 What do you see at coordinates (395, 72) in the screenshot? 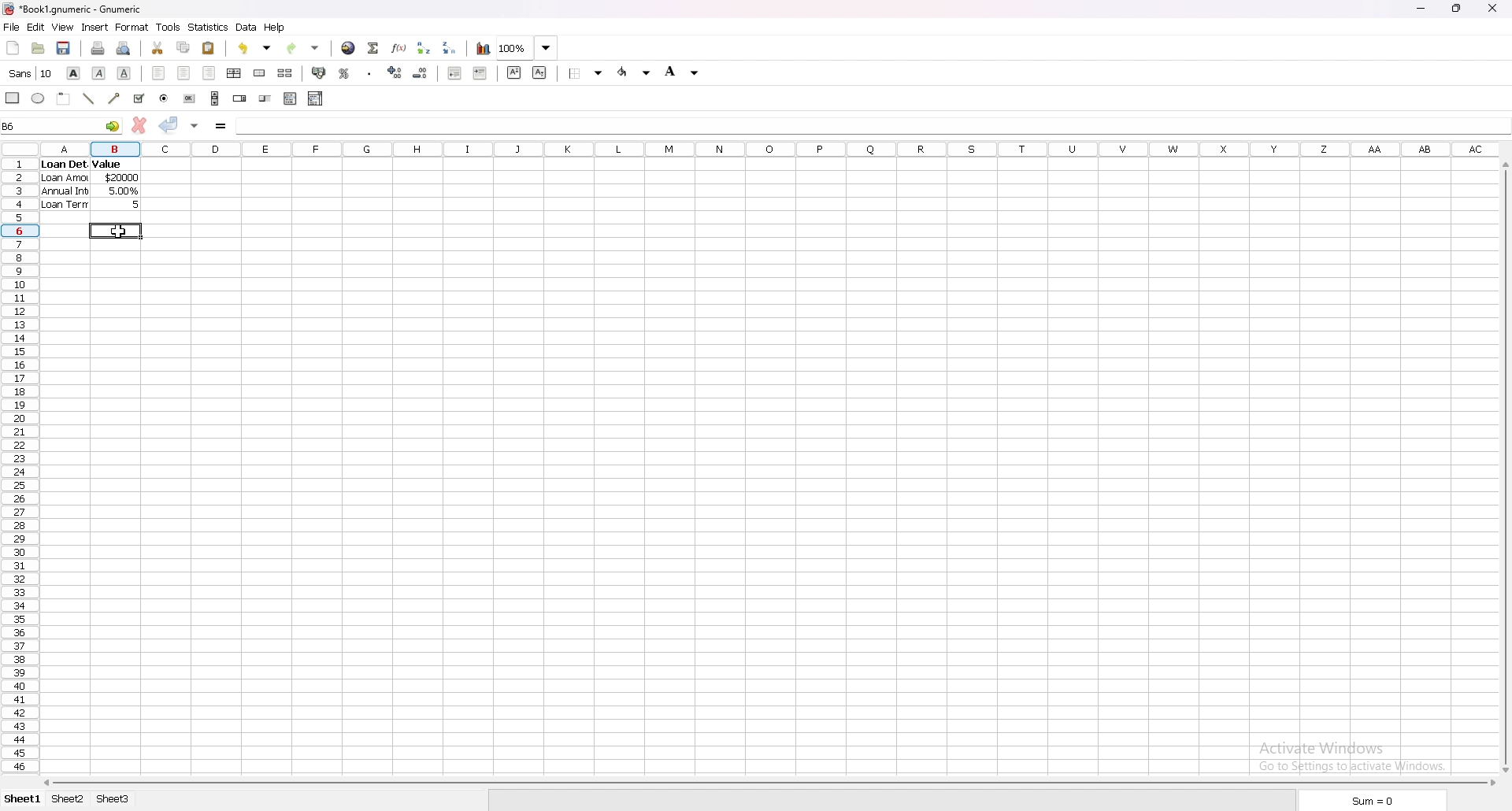
I see `increase decimals` at bounding box center [395, 72].